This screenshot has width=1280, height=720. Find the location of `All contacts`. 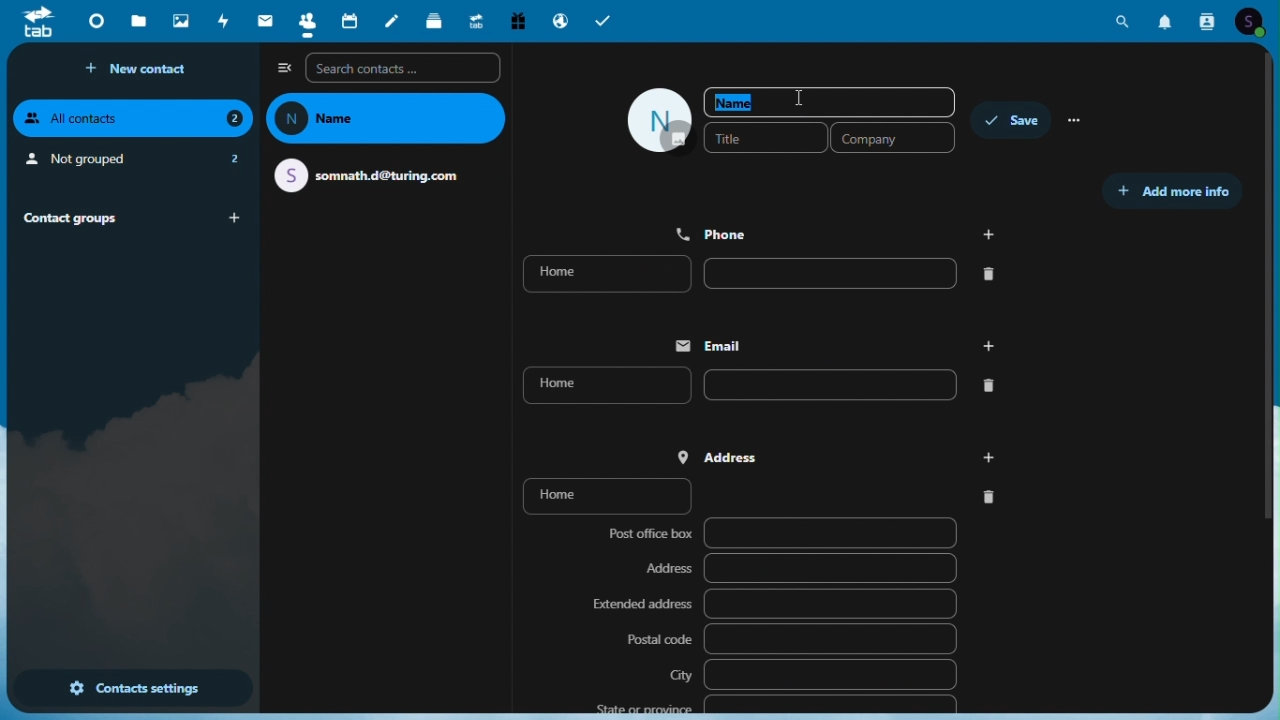

All contacts is located at coordinates (133, 118).